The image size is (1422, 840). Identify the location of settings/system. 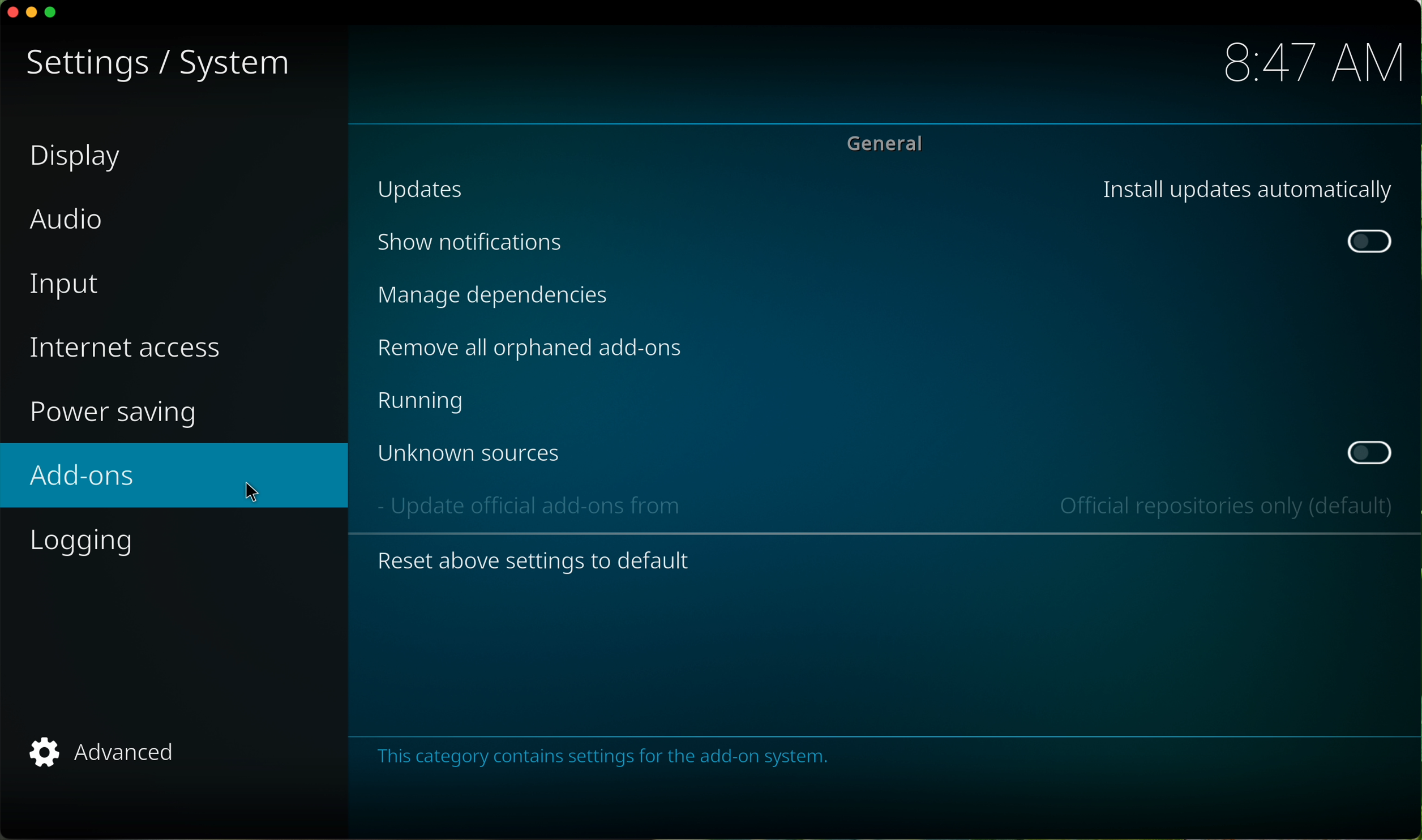
(161, 62).